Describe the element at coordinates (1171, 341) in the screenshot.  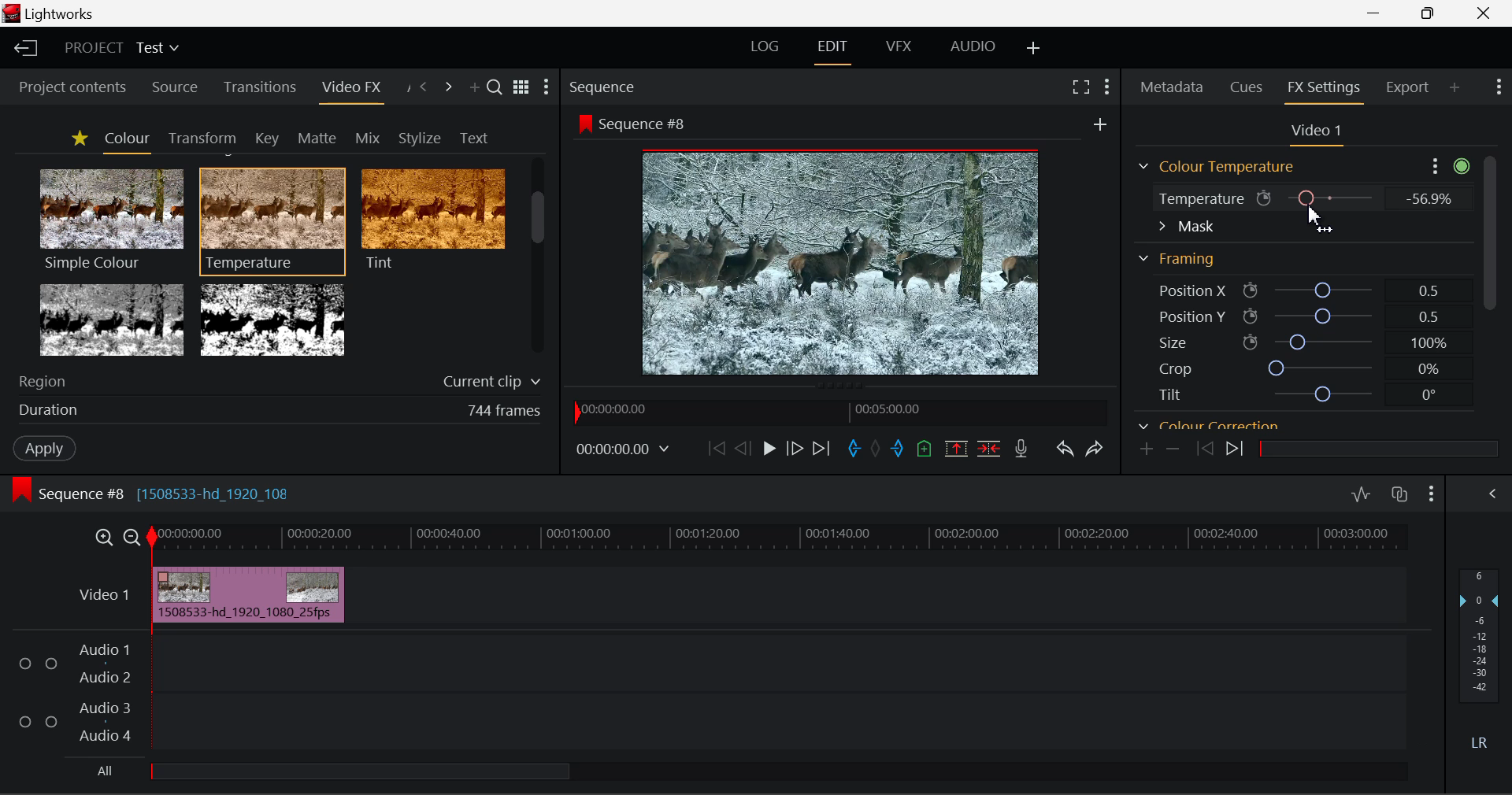
I see `Size` at that location.